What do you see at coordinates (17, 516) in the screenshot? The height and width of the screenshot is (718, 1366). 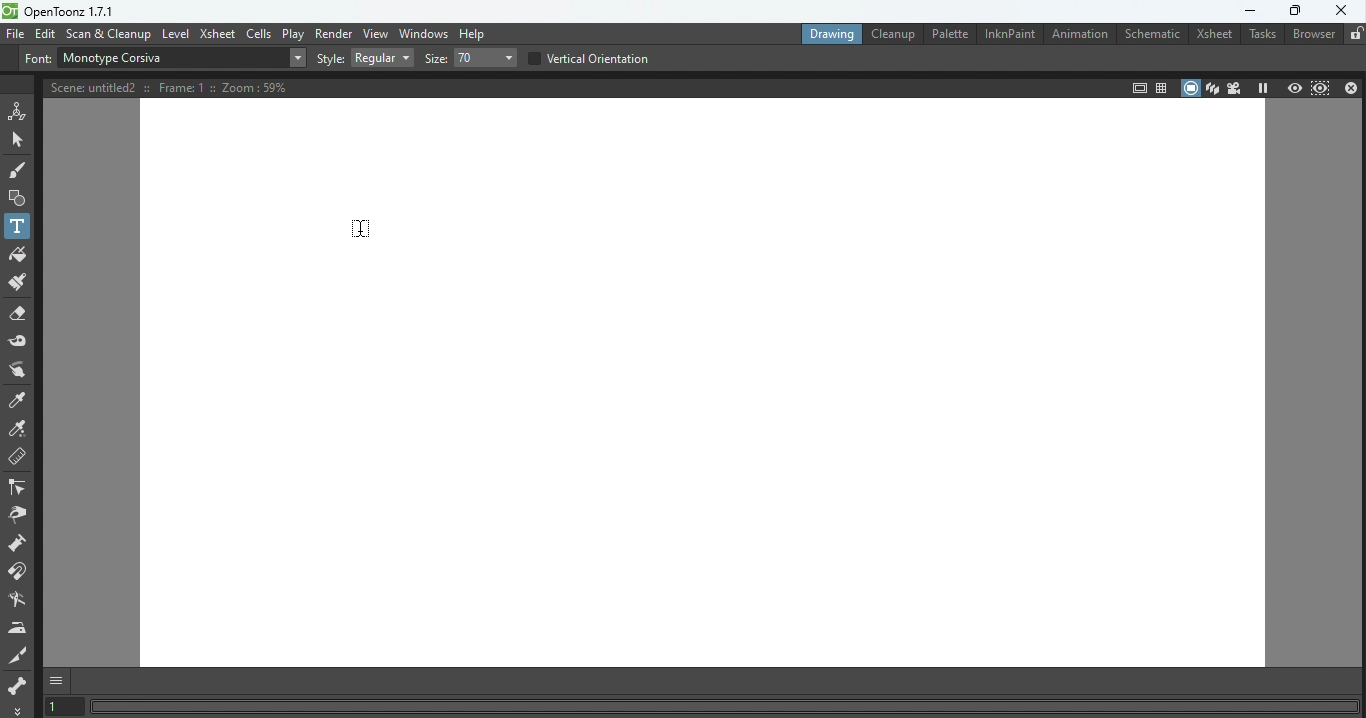 I see `Pinch tool` at bounding box center [17, 516].